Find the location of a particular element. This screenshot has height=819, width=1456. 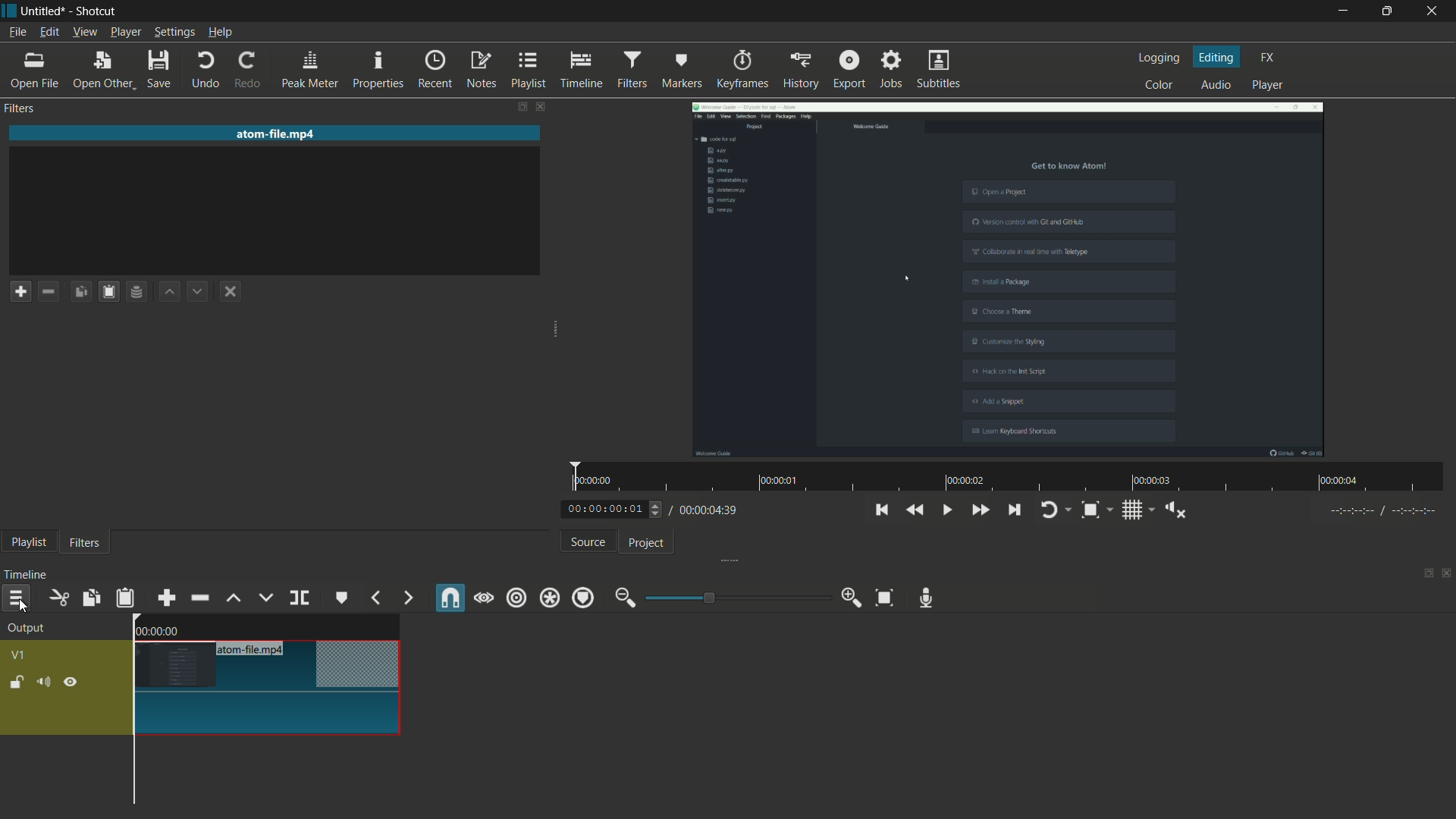

mute is located at coordinates (42, 682).